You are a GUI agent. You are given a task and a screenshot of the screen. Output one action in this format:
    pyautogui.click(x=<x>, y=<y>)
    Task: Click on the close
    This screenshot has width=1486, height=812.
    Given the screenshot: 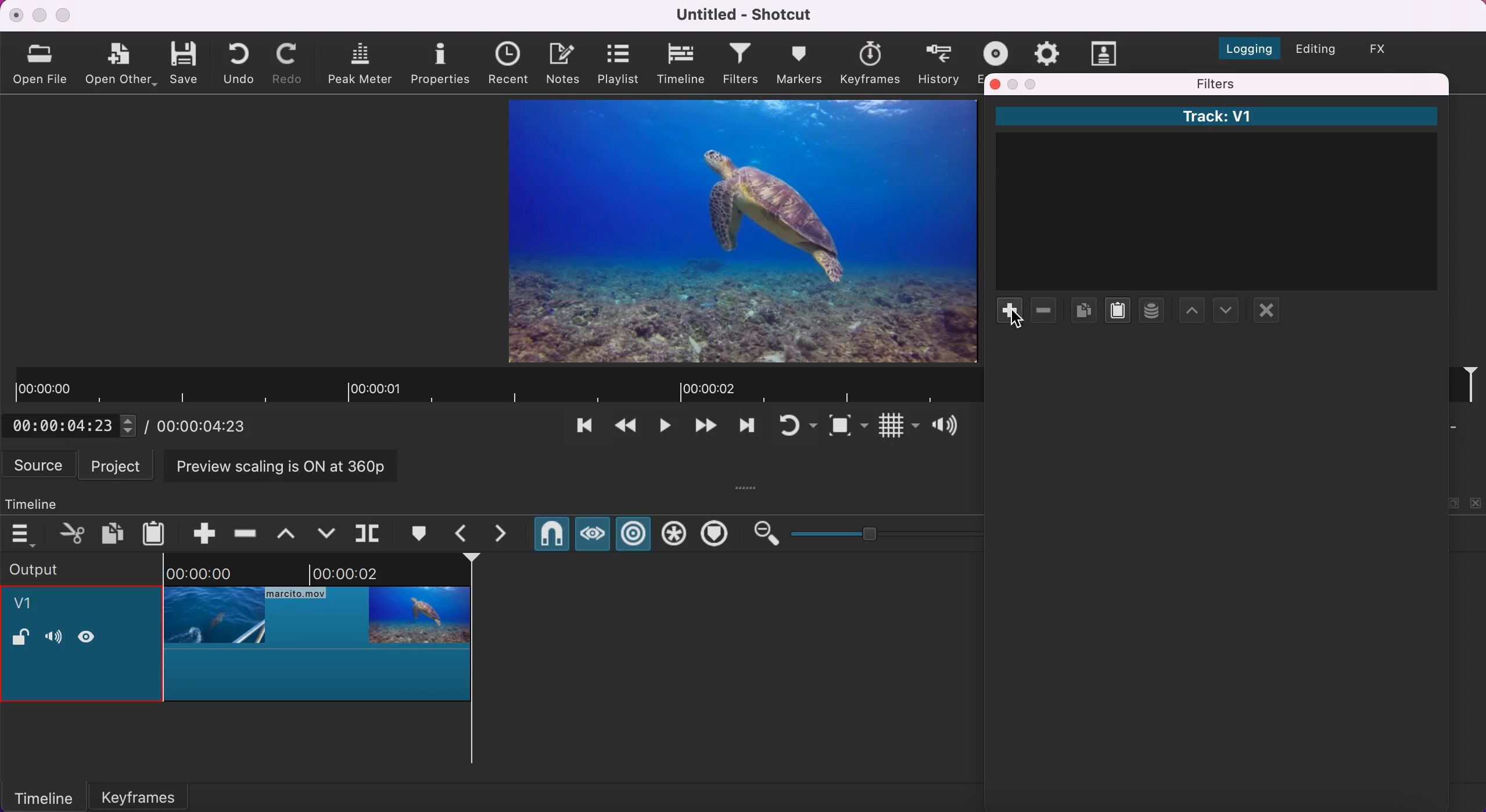 What is the action you would take?
    pyautogui.click(x=996, y=84)
    